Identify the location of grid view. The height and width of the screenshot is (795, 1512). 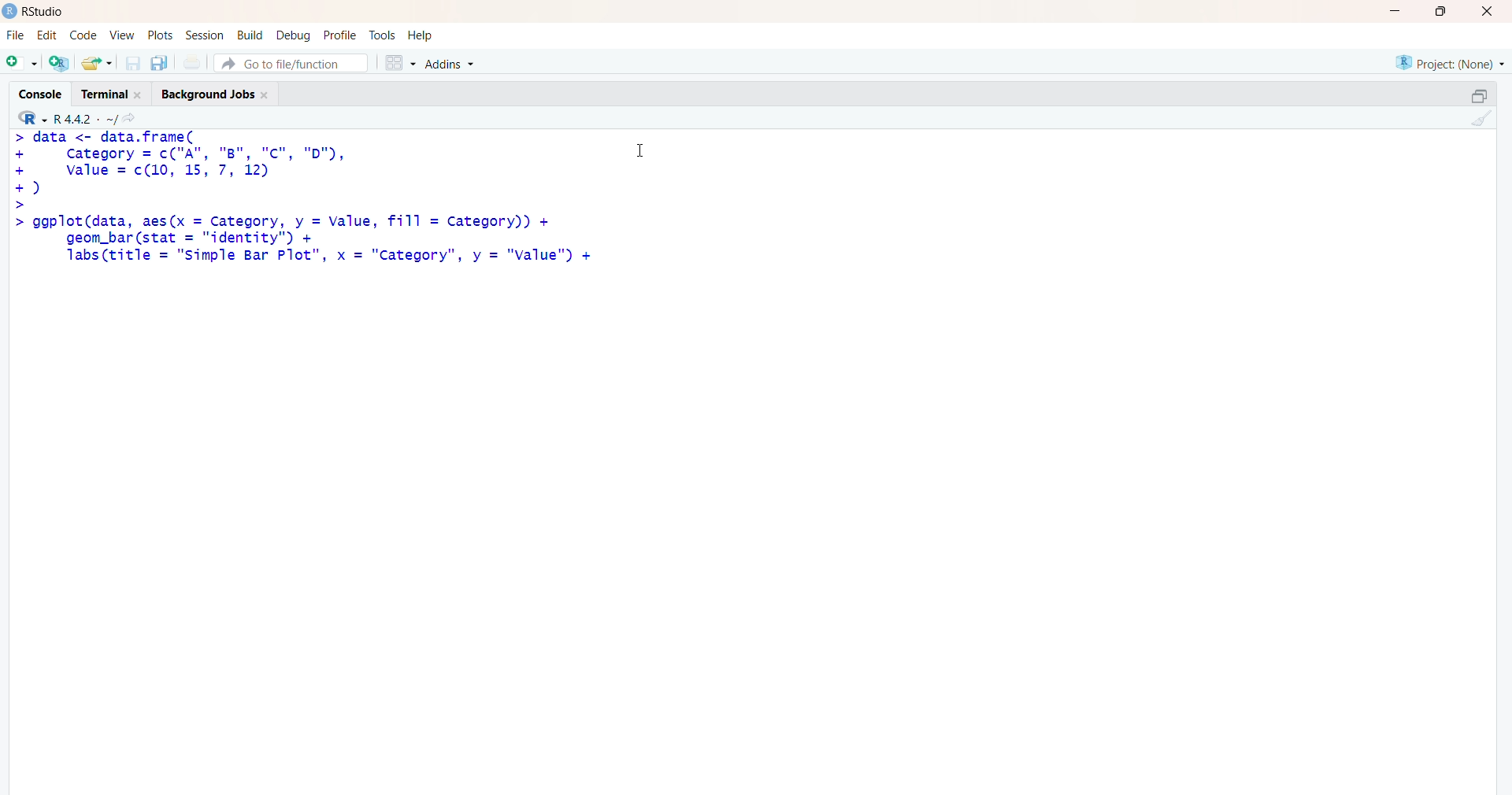
(399, 62).